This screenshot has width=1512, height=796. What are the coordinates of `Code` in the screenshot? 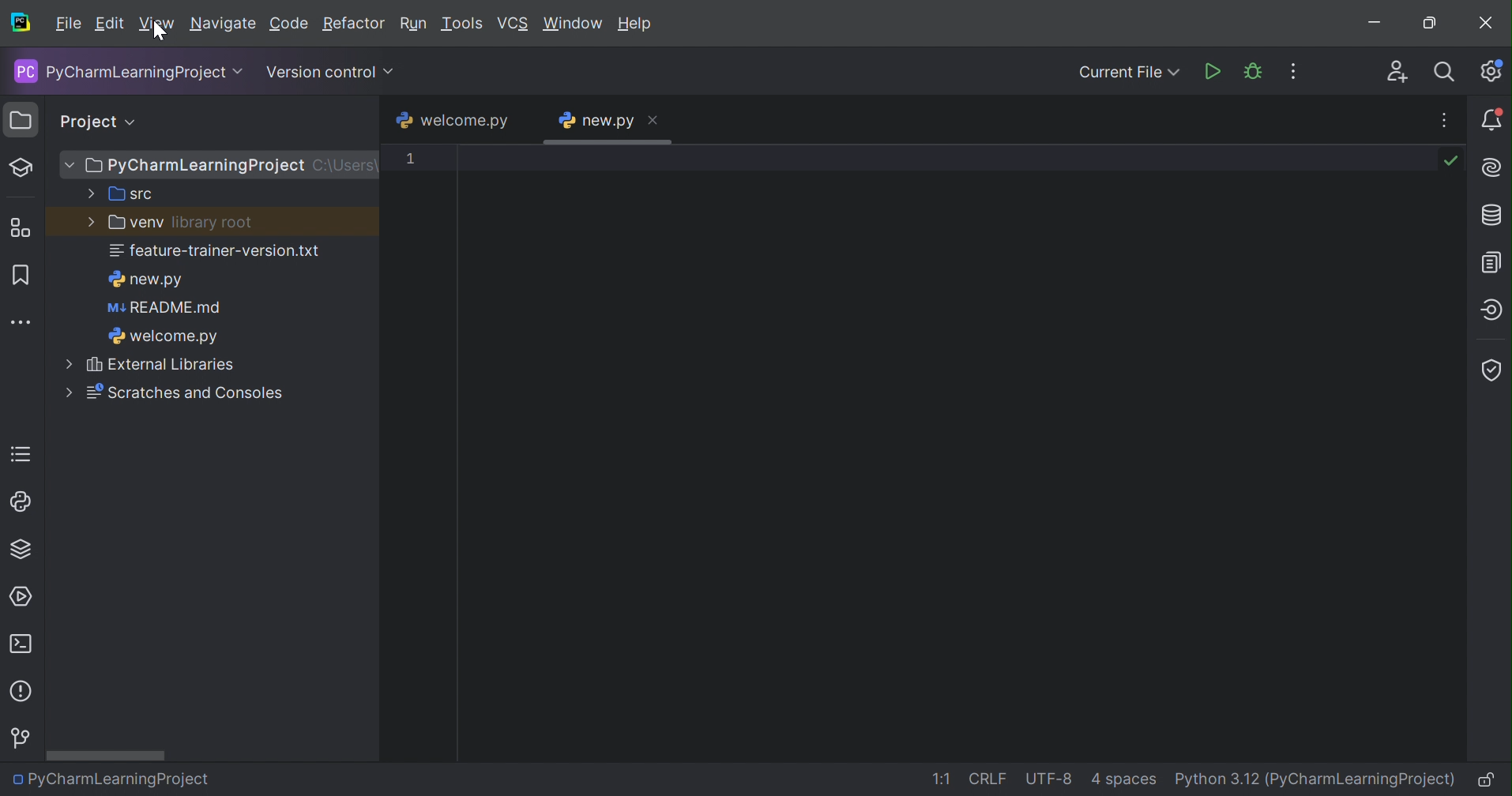 It's located at (289, 24).